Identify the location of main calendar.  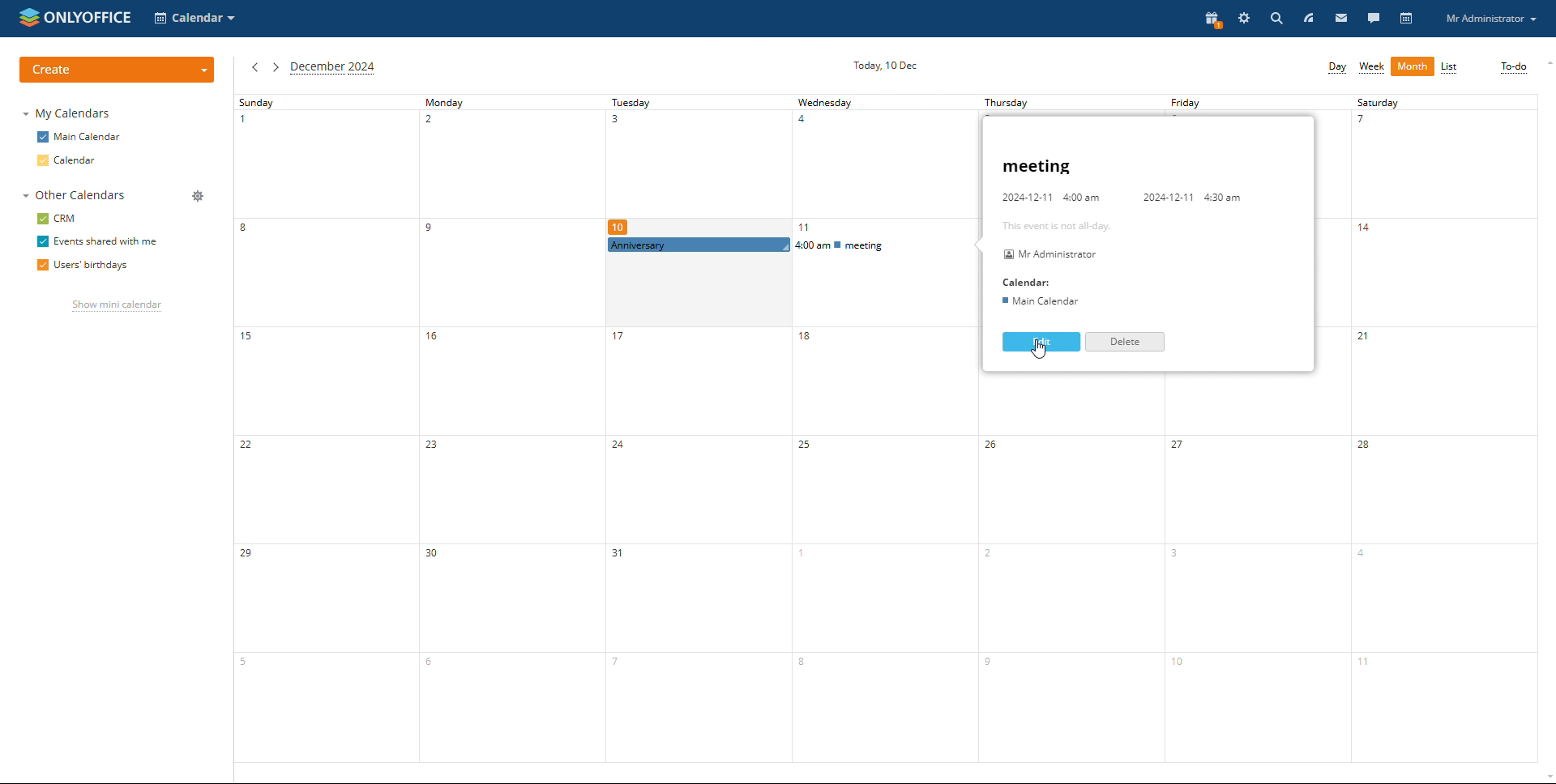
(1038, 302).